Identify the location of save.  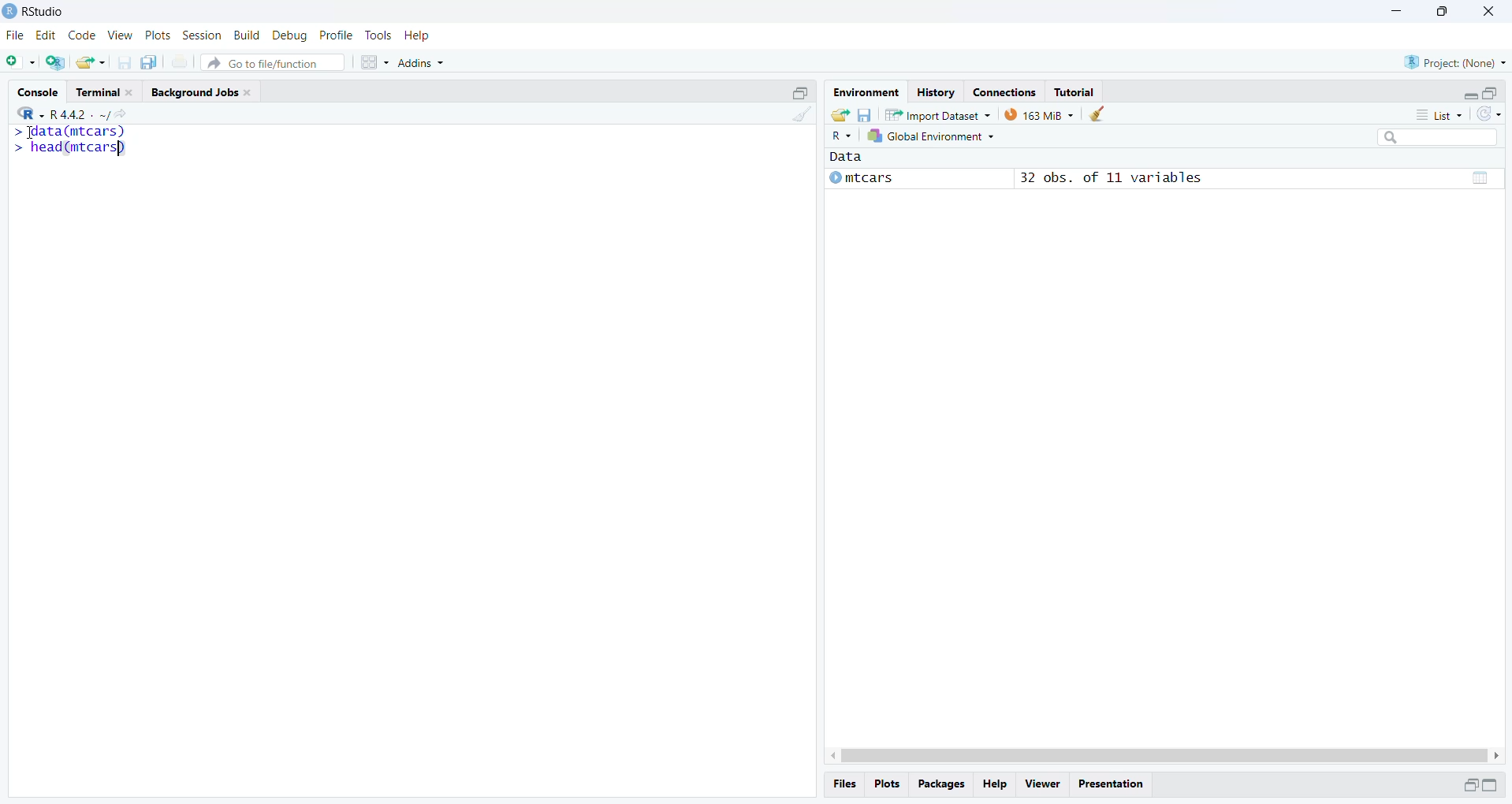
(866, 114).